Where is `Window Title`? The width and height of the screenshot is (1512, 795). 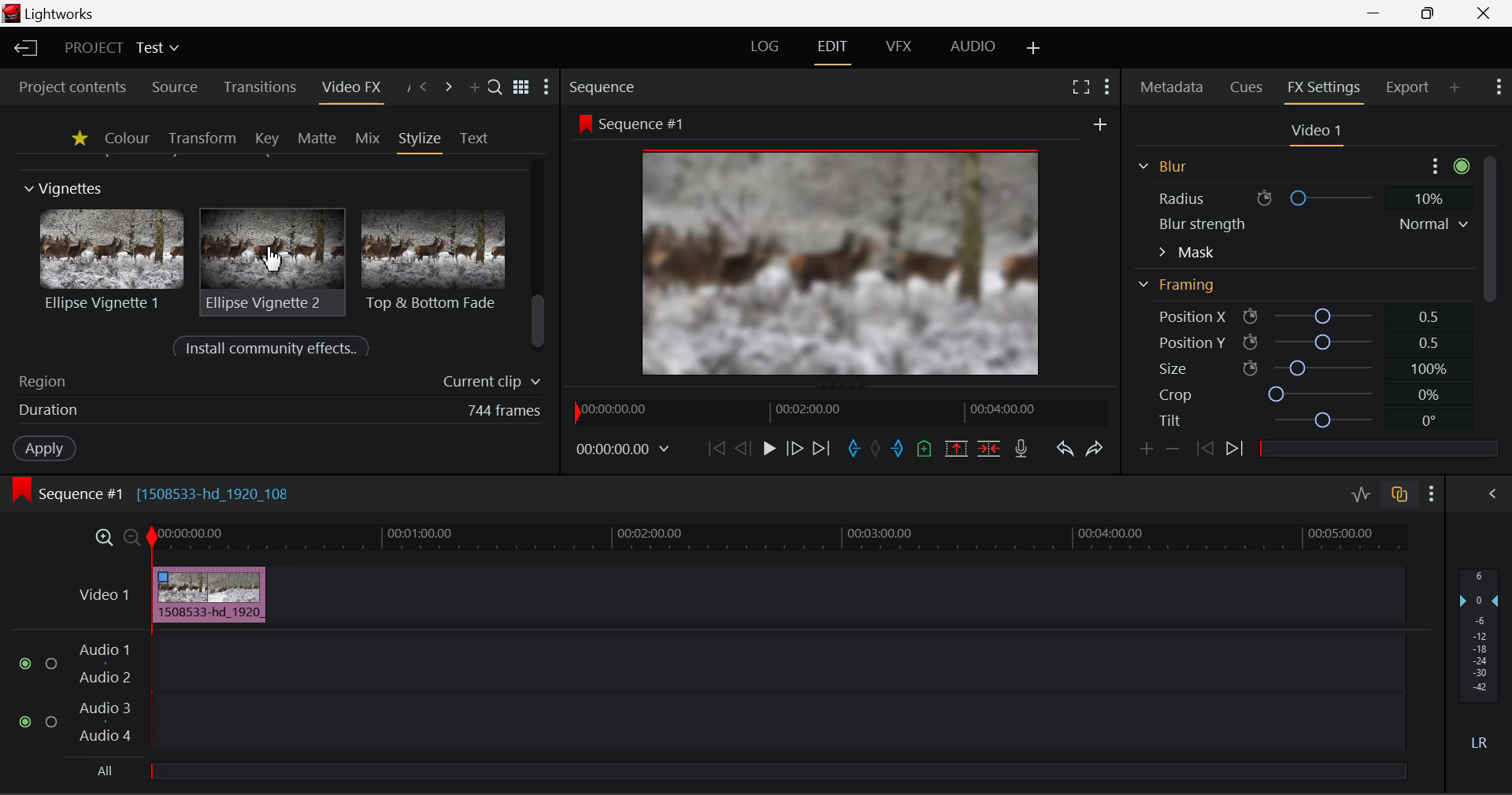
Window Title is located at coordinates (54, 14).